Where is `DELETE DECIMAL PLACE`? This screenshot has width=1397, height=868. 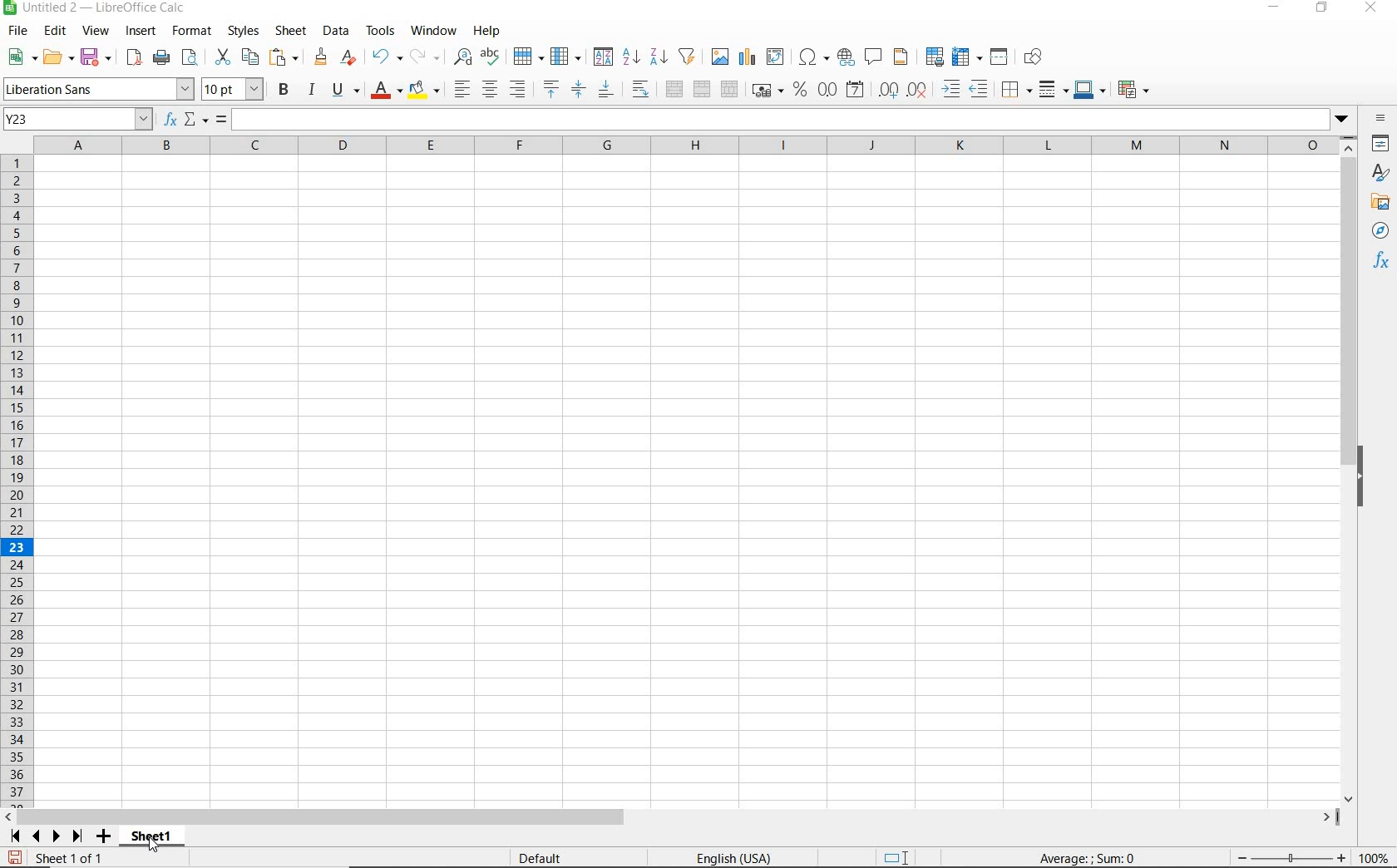
DELETE DECIMAL PLACE is located at coordinates (917, 90).